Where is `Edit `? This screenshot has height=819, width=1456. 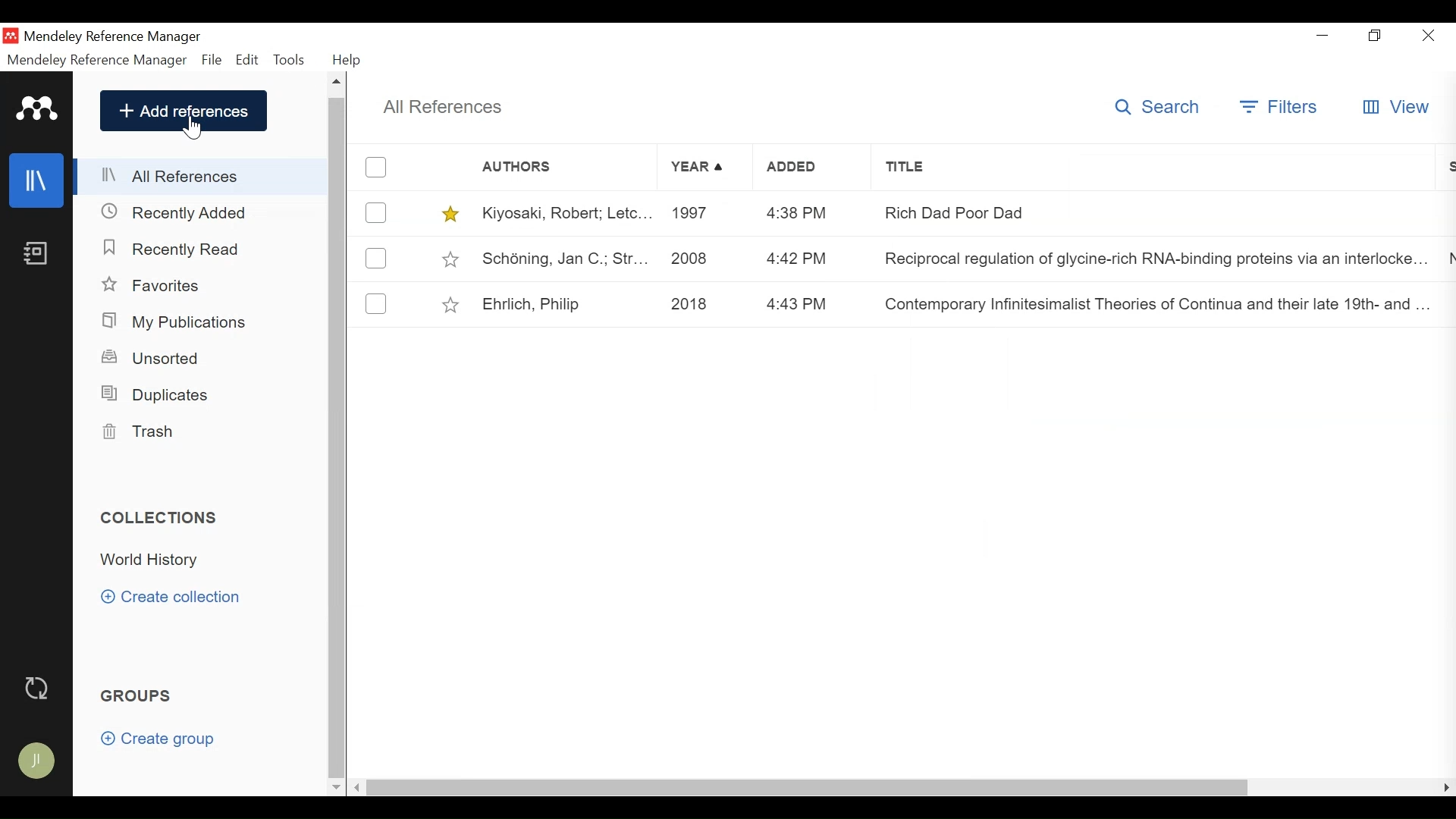 Edit  is located at coordinates (247, 59).